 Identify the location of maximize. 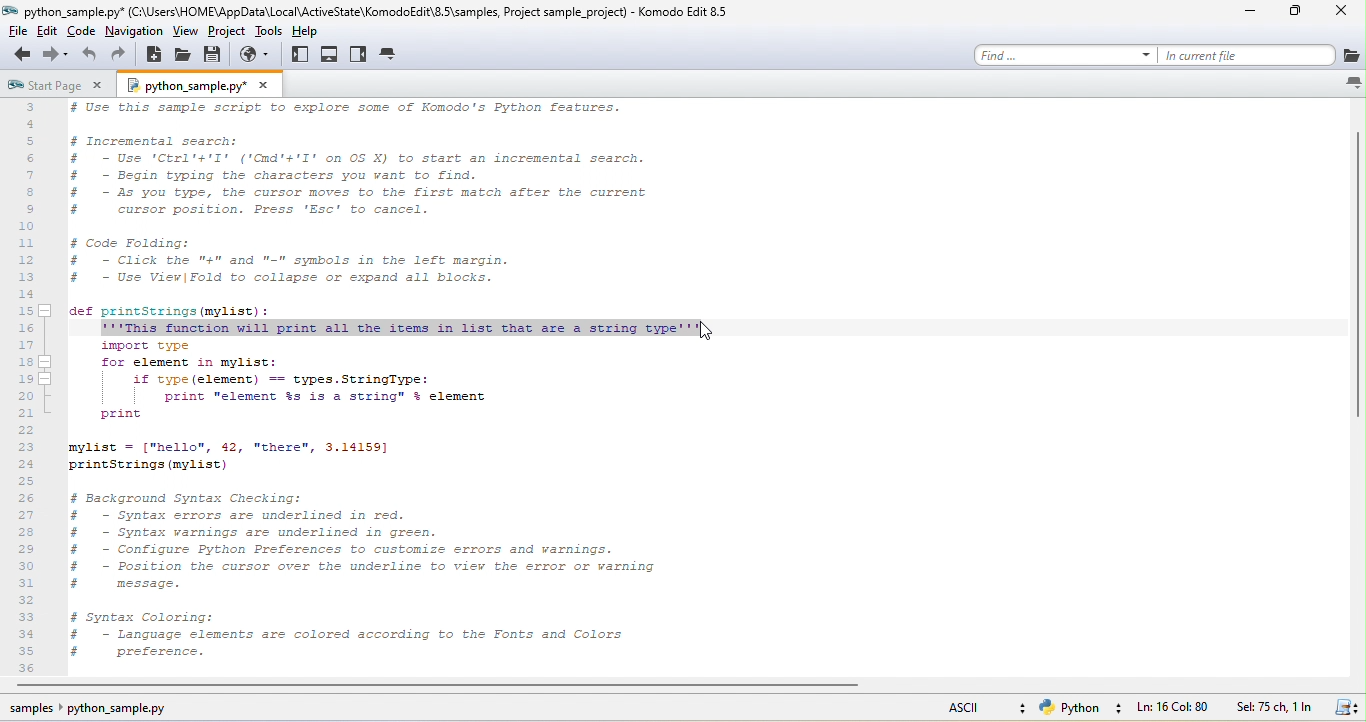
(1299, 15).